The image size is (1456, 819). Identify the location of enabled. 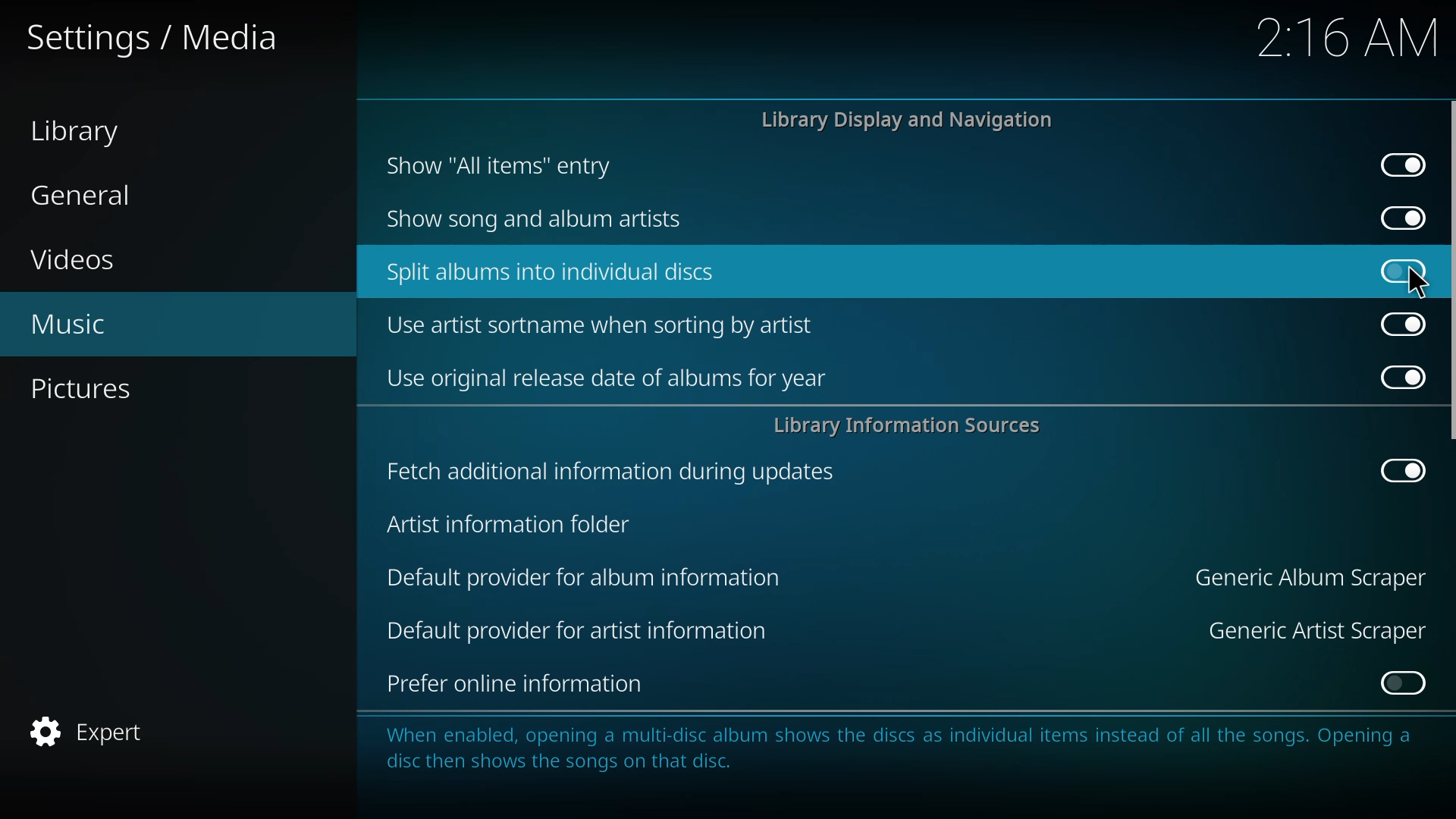
(1398, 165).